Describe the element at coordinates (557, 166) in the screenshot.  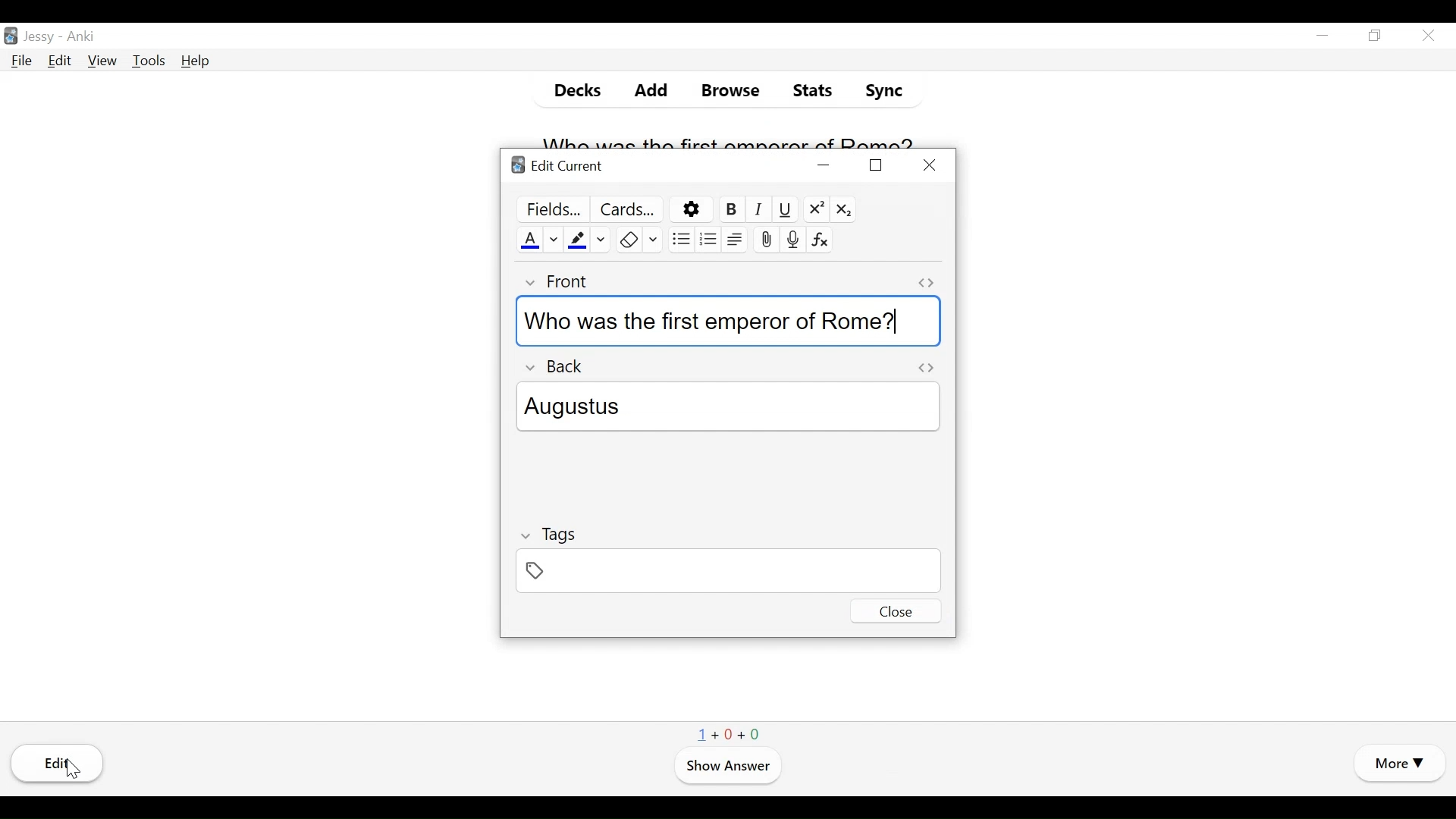
I see `Edit Current` at that location.